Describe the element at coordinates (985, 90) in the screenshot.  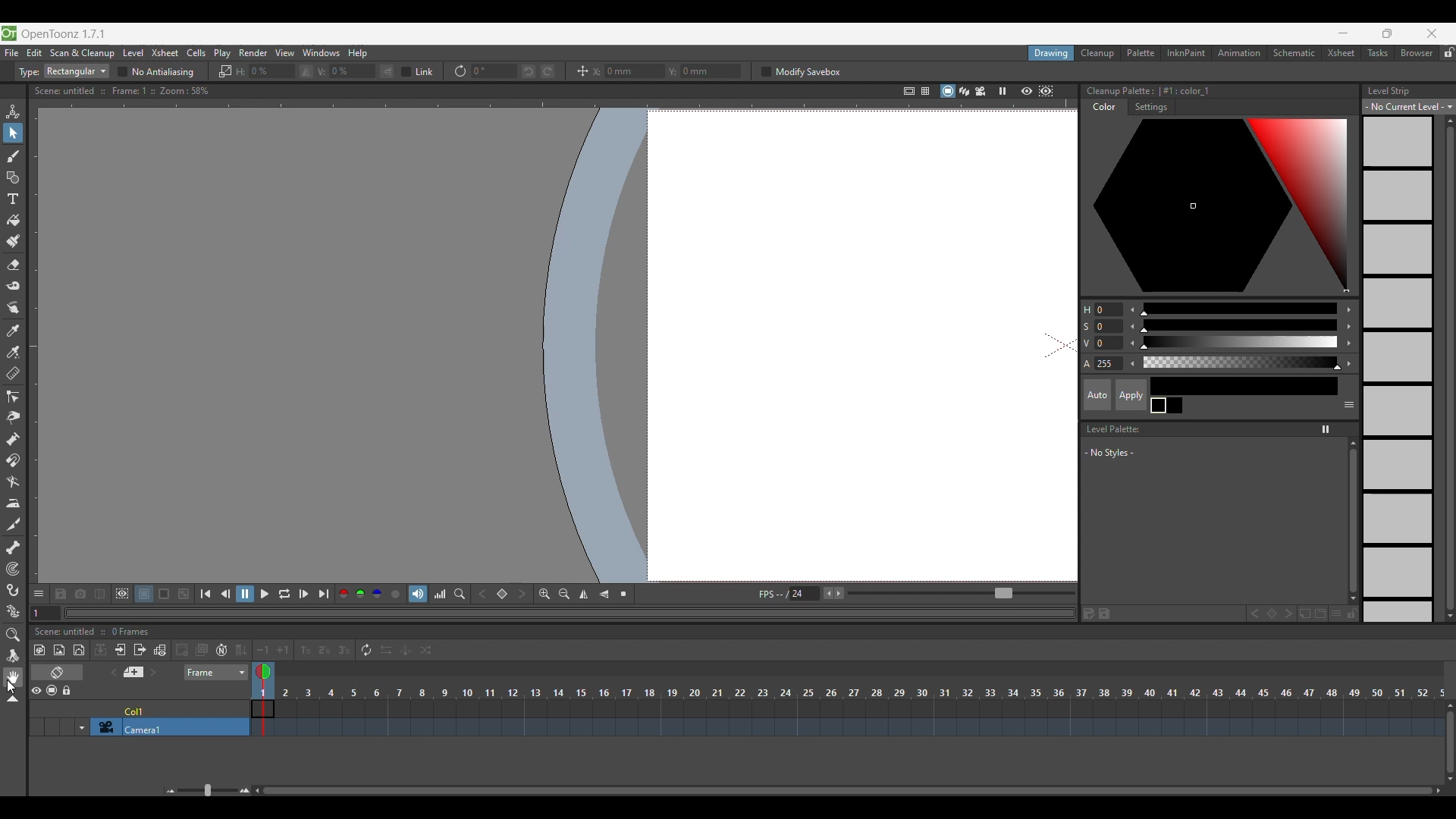
I see `Camera view` at that location.